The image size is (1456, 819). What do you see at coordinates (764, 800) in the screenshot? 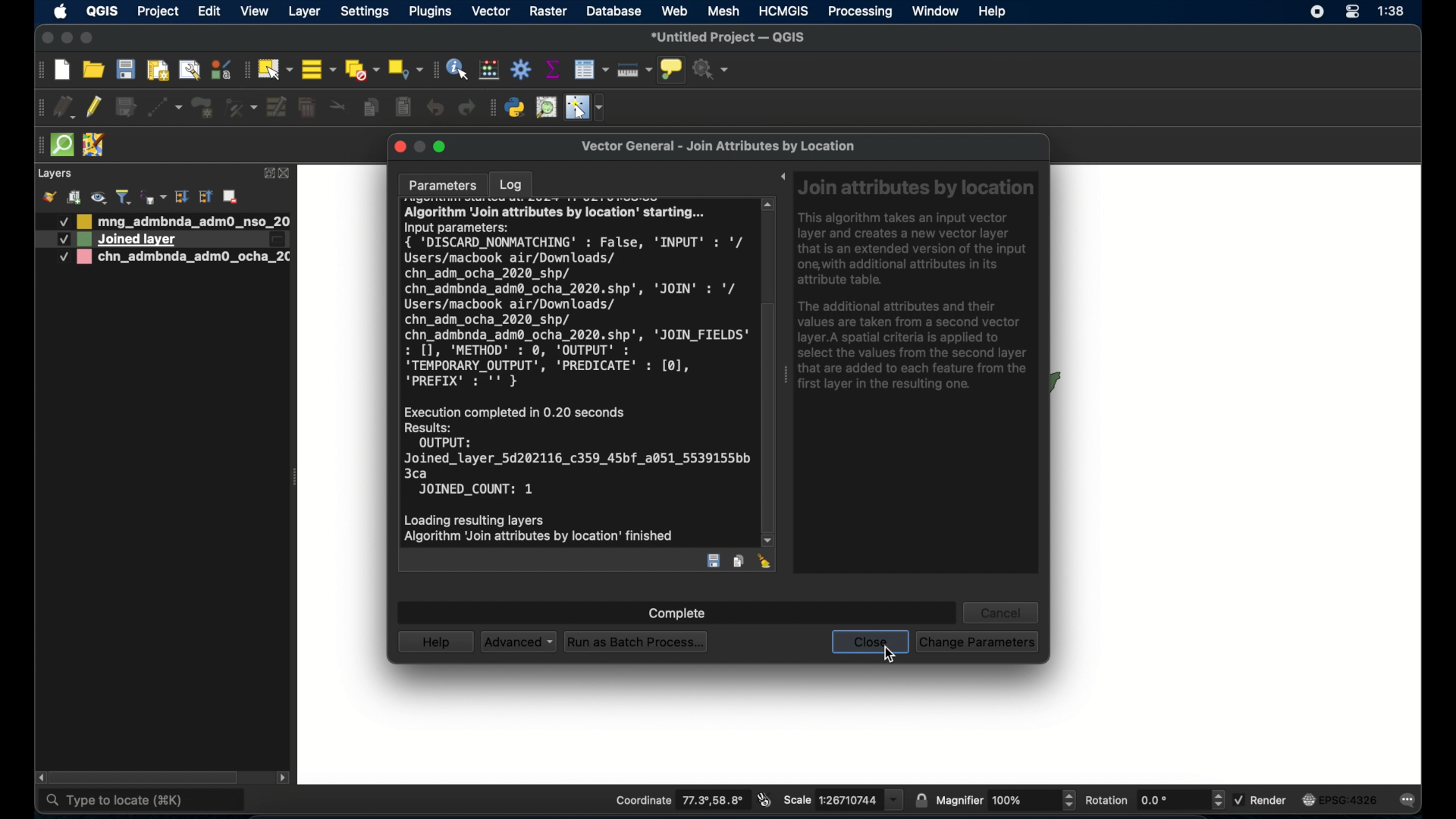
I see `toggle mouse extents and display position` at bounding box center [764, 800].